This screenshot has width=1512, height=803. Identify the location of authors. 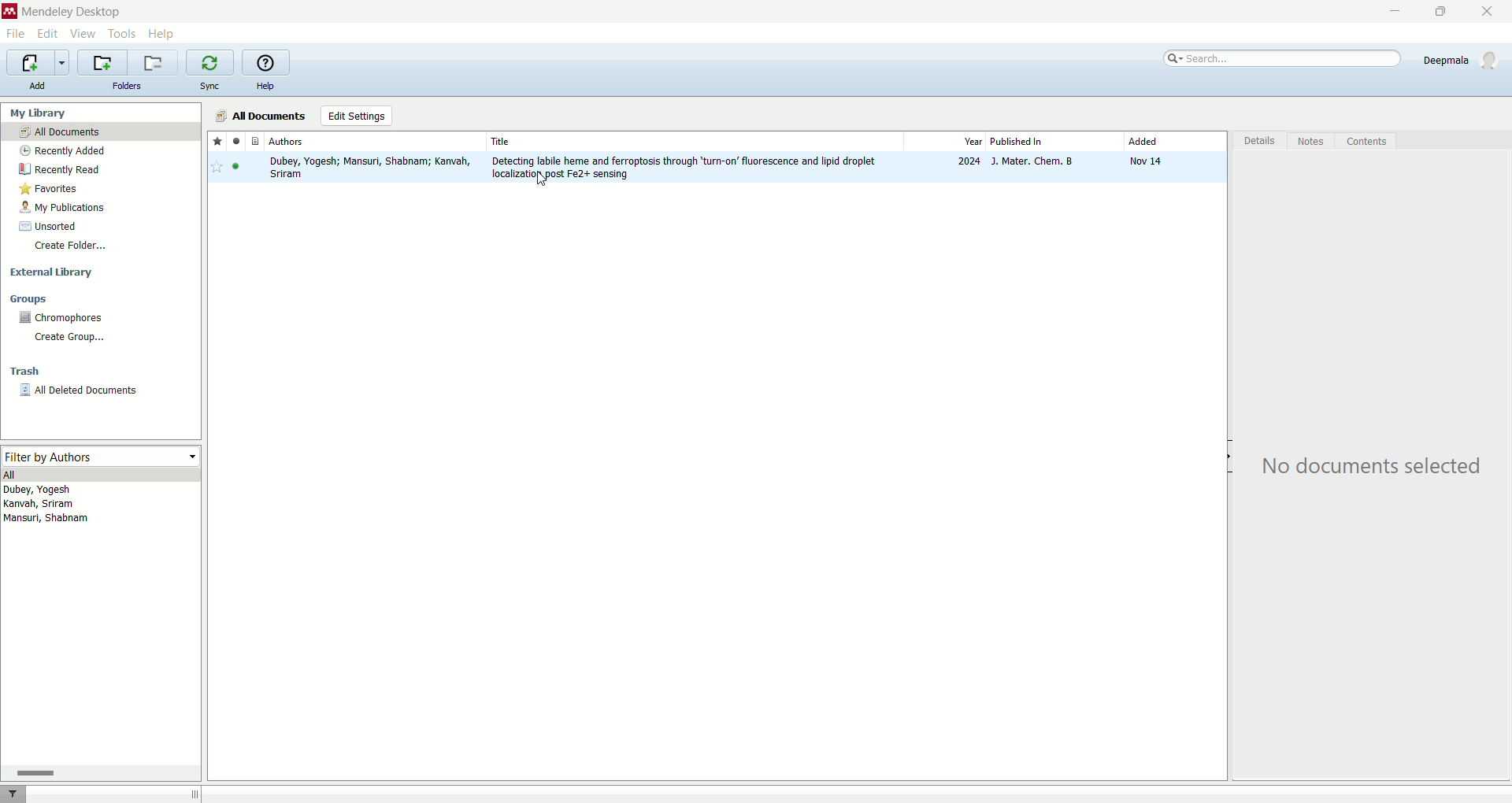
(375, 142).